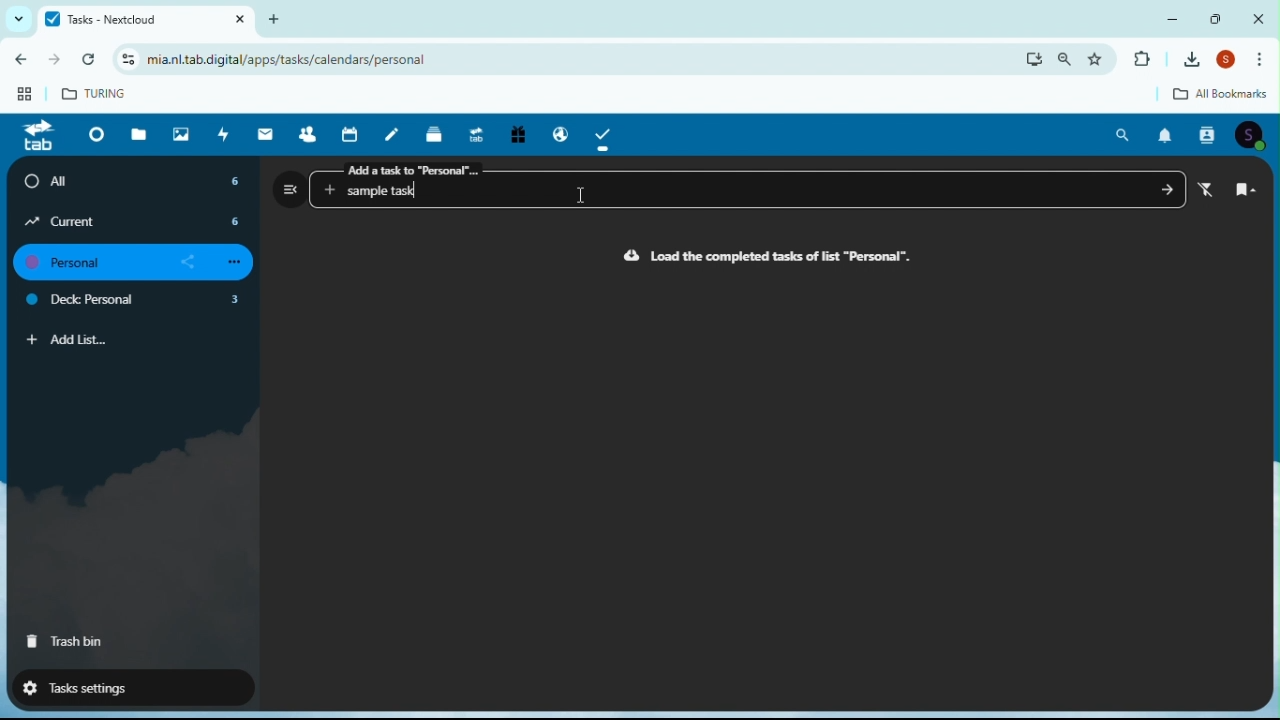 The width and height of the screenshot is (1280, 720). What do you see at coordinates (123, 686) in the screenshot?
I see `Task settings` at bounding box center [123, 686].